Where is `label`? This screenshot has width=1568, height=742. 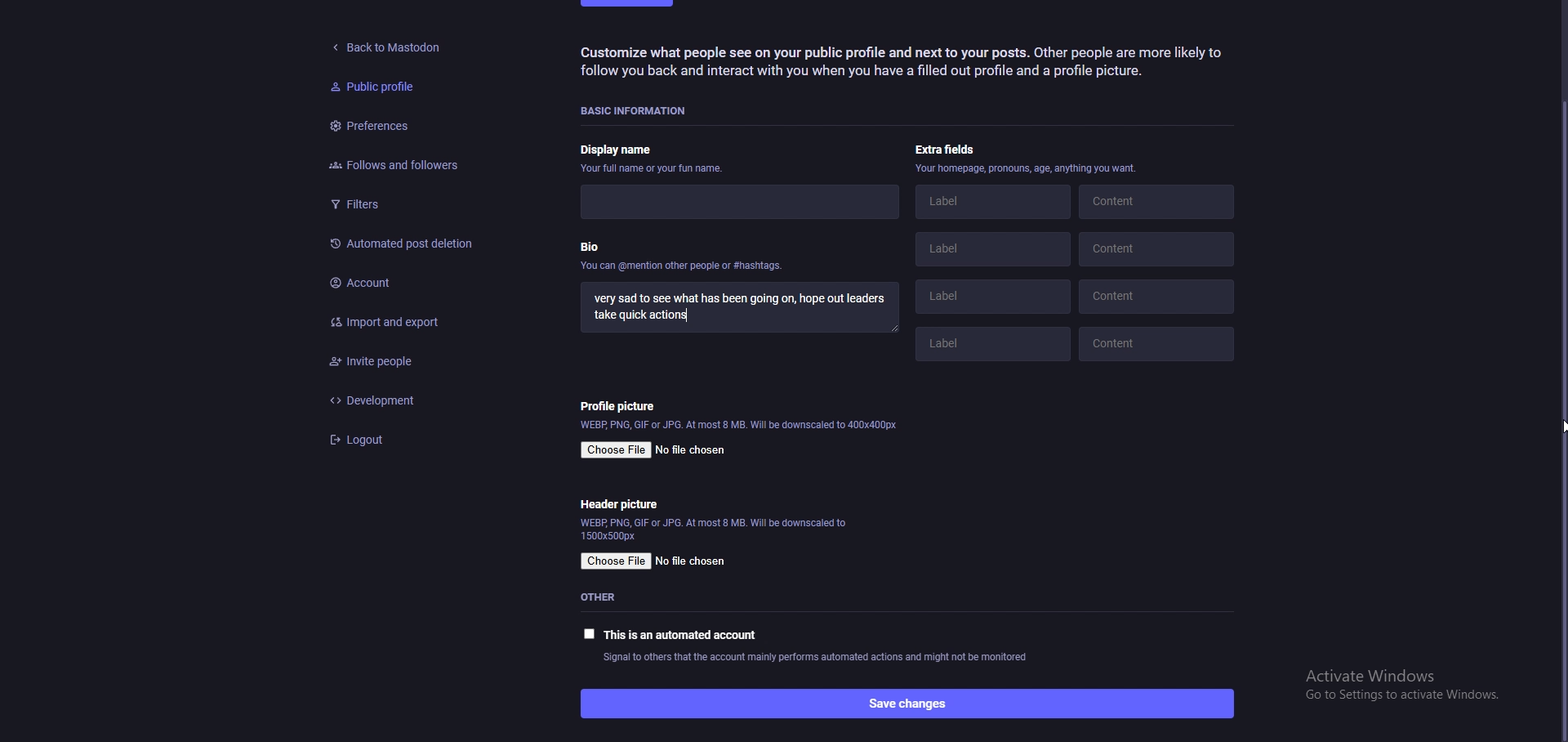 label is located at coordinates (998, 297).